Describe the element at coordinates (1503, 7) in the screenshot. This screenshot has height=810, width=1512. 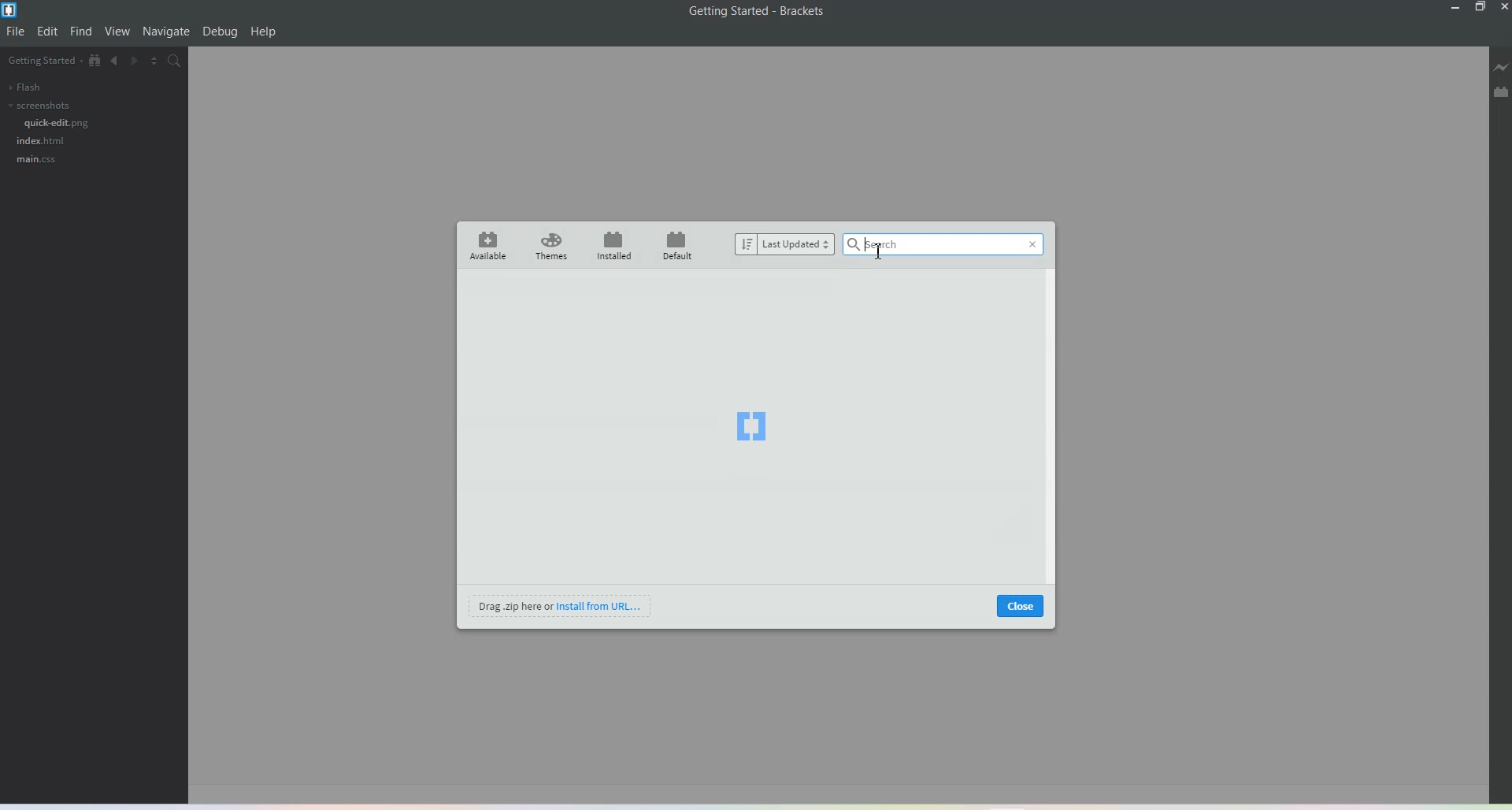
I see `Close` at that location.